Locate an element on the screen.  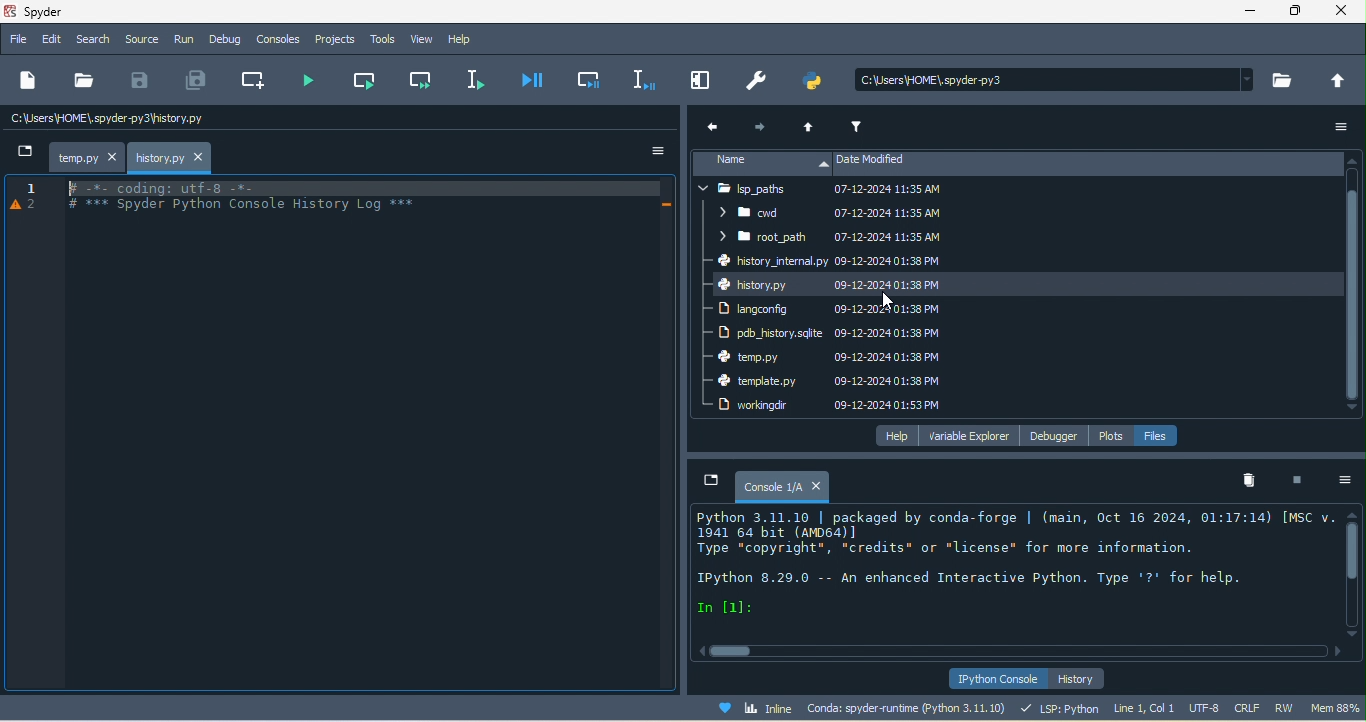
run selection is located at coordinates (476, 78).